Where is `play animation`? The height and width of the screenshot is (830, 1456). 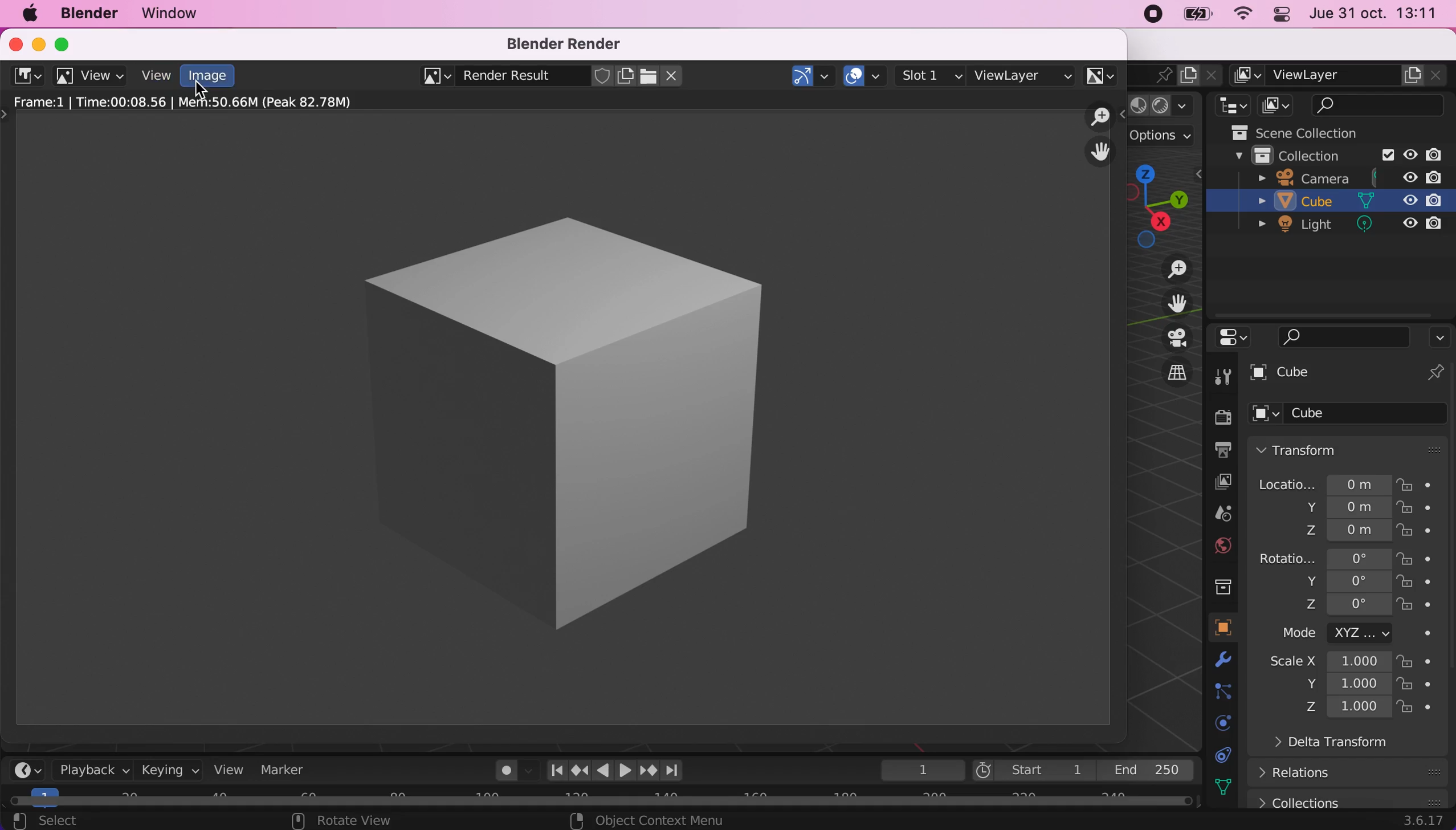 play animation is located at coordinates (625, 770).